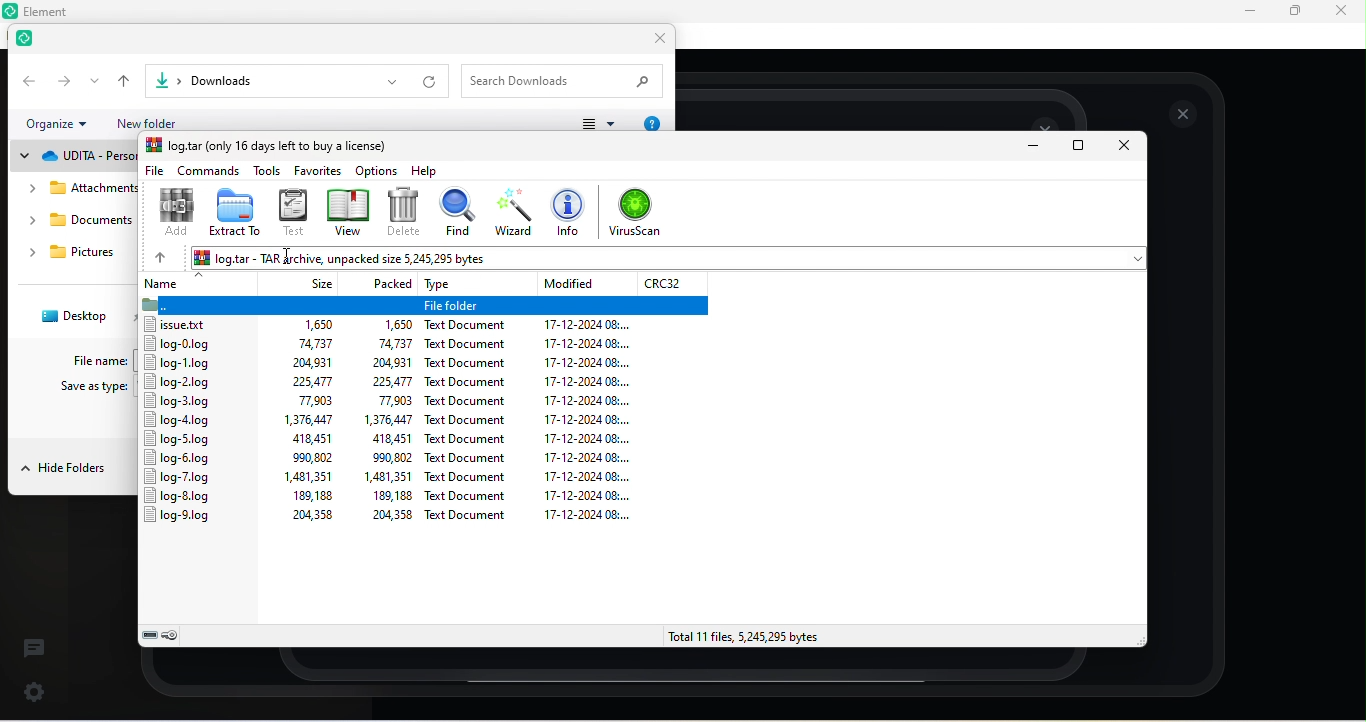 The image size is (1366, 722). Describe the element at coordinates (745, 633) in the screenshot. I see `total 11 files, 5,245,295 bytes` at that location.